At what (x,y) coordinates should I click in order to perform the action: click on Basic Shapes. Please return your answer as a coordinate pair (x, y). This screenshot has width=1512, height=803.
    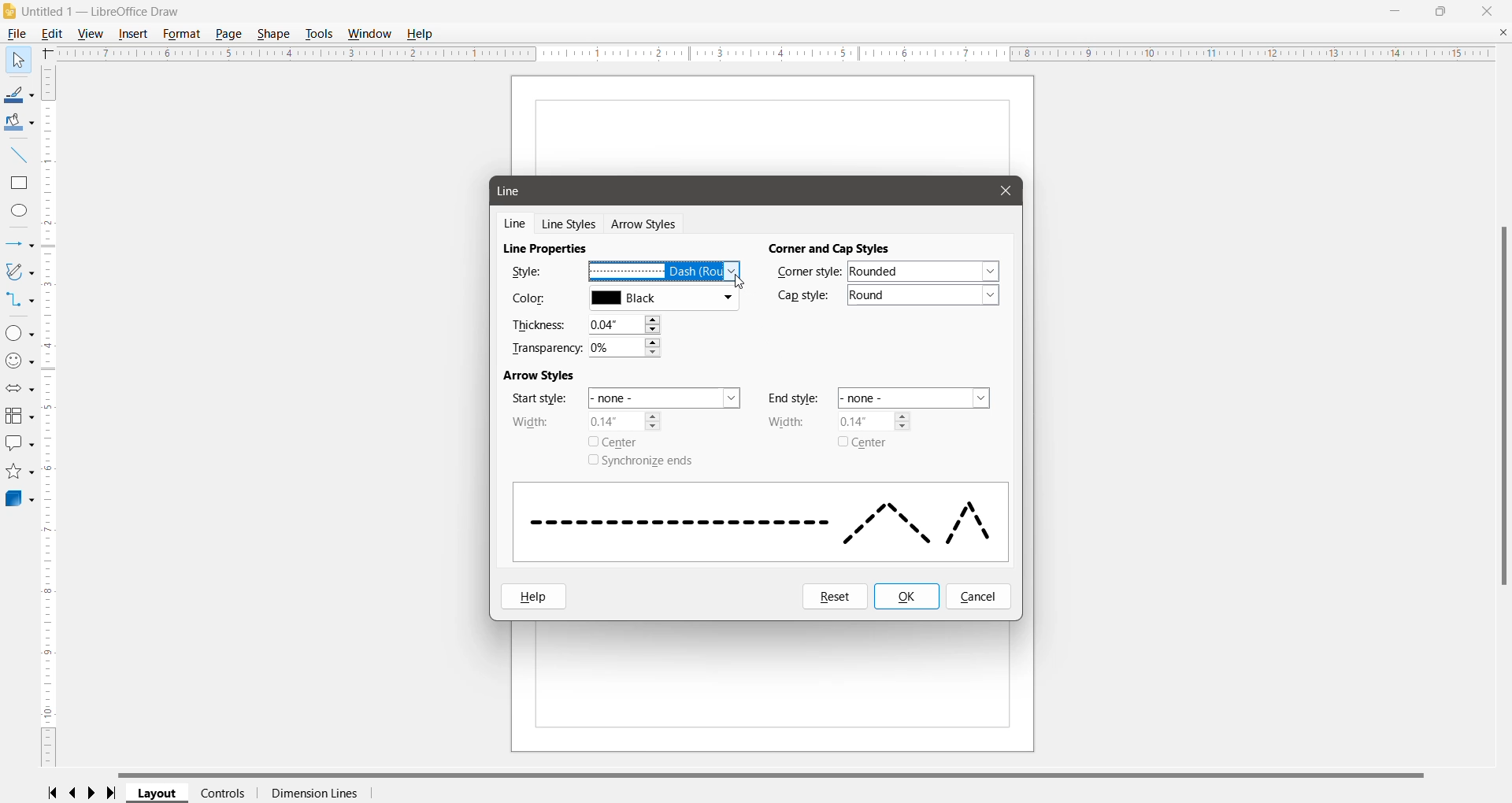
    Looking at the image, I should click on (20, 333).